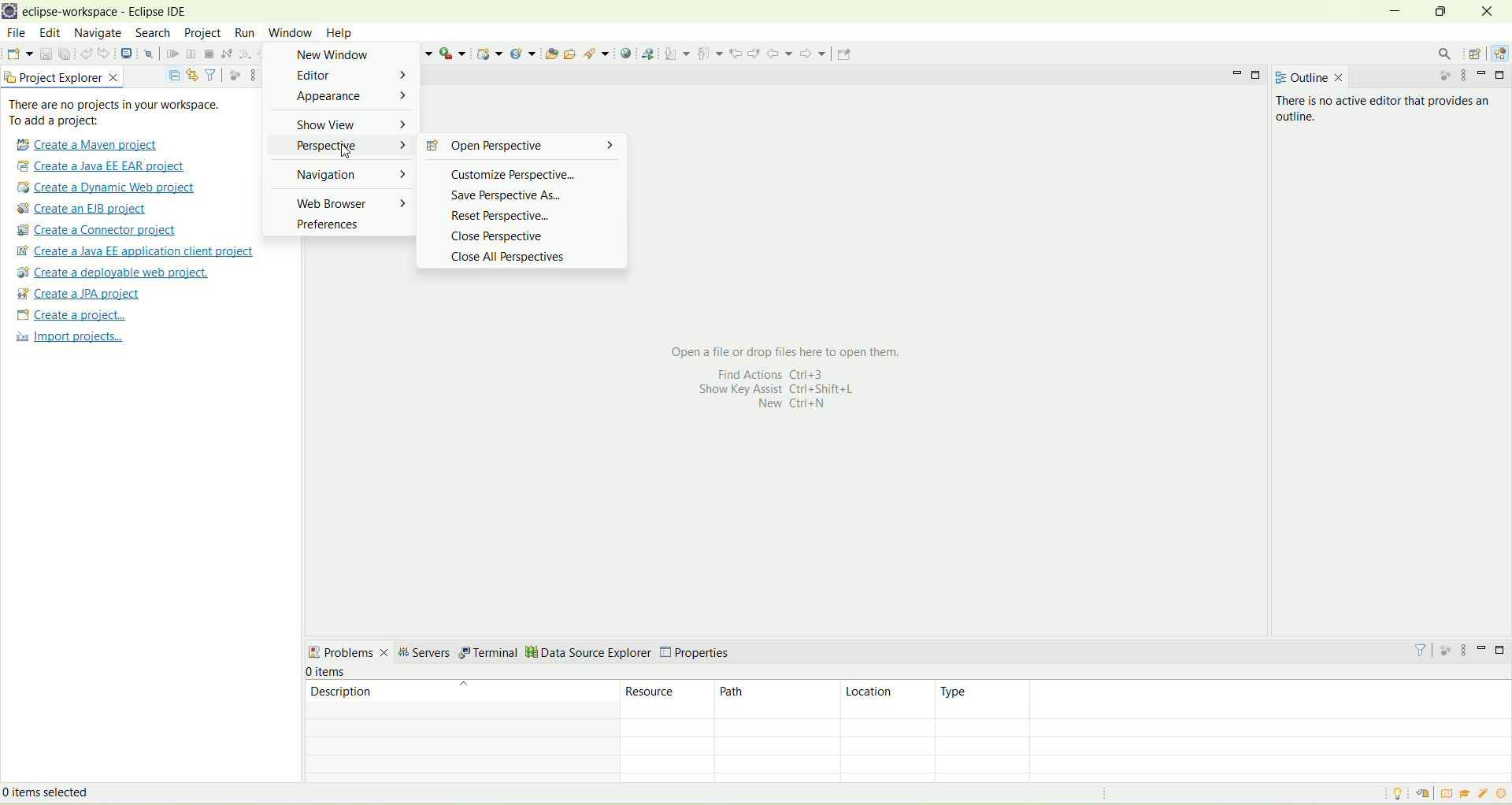 The width and height of the screenshot is (1512, 805). Describe the element at coordinates (459, 698) in the screenshot. I see `description` at that location.